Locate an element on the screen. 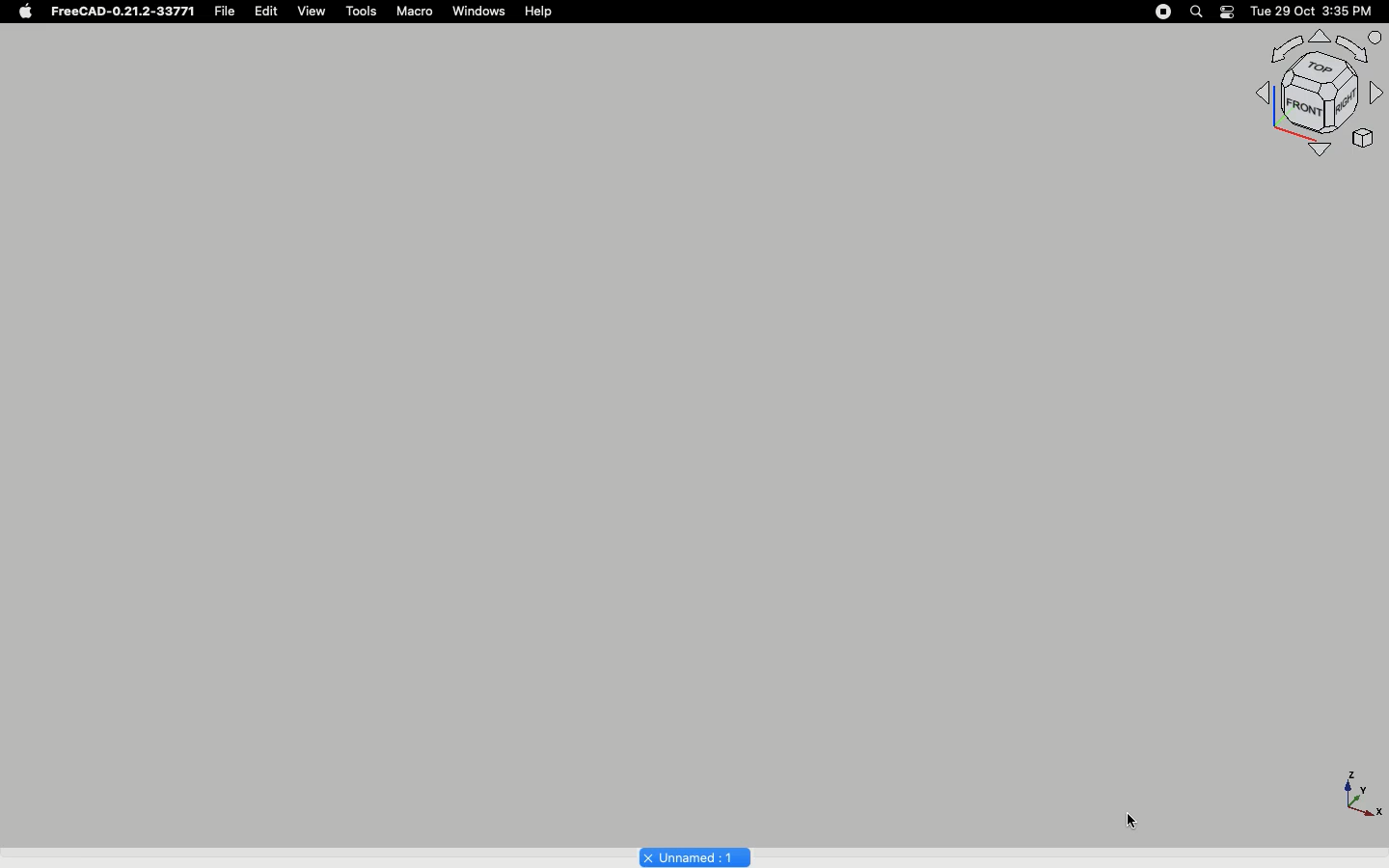  Unnamed 1 is located at coordinates (689, 856).